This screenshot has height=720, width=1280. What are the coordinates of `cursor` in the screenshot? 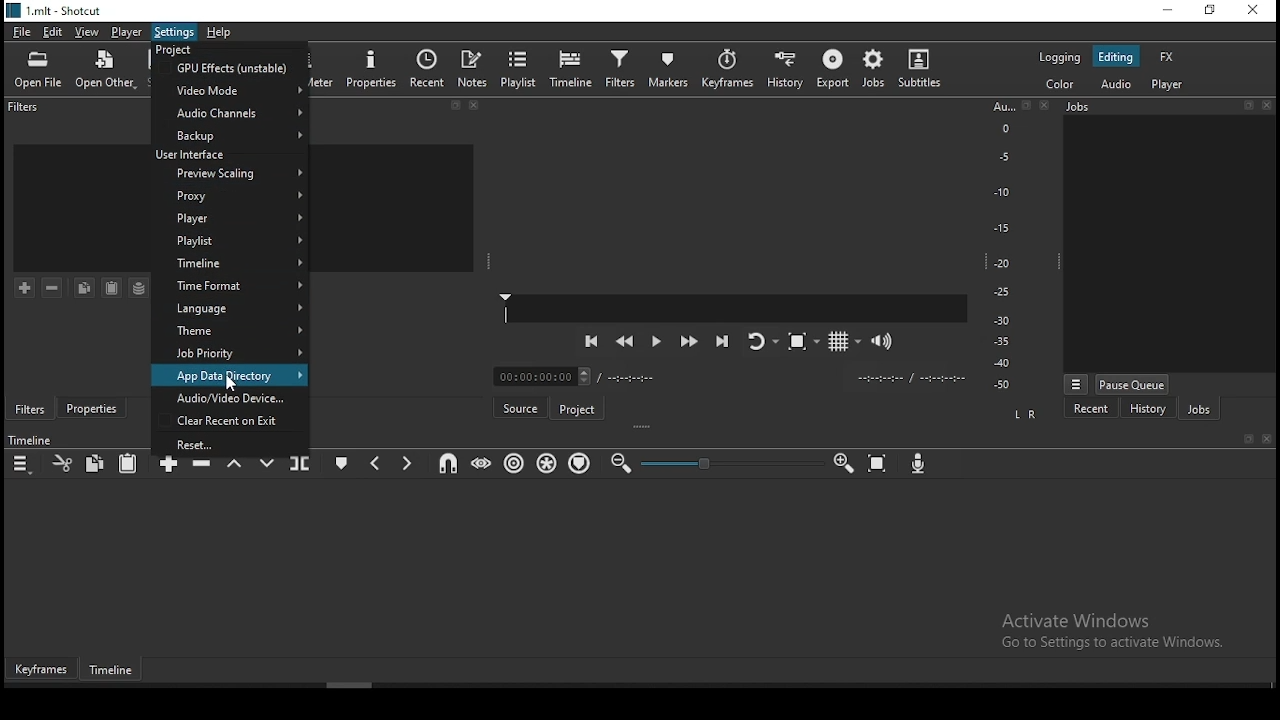 It's located at (235, 382).